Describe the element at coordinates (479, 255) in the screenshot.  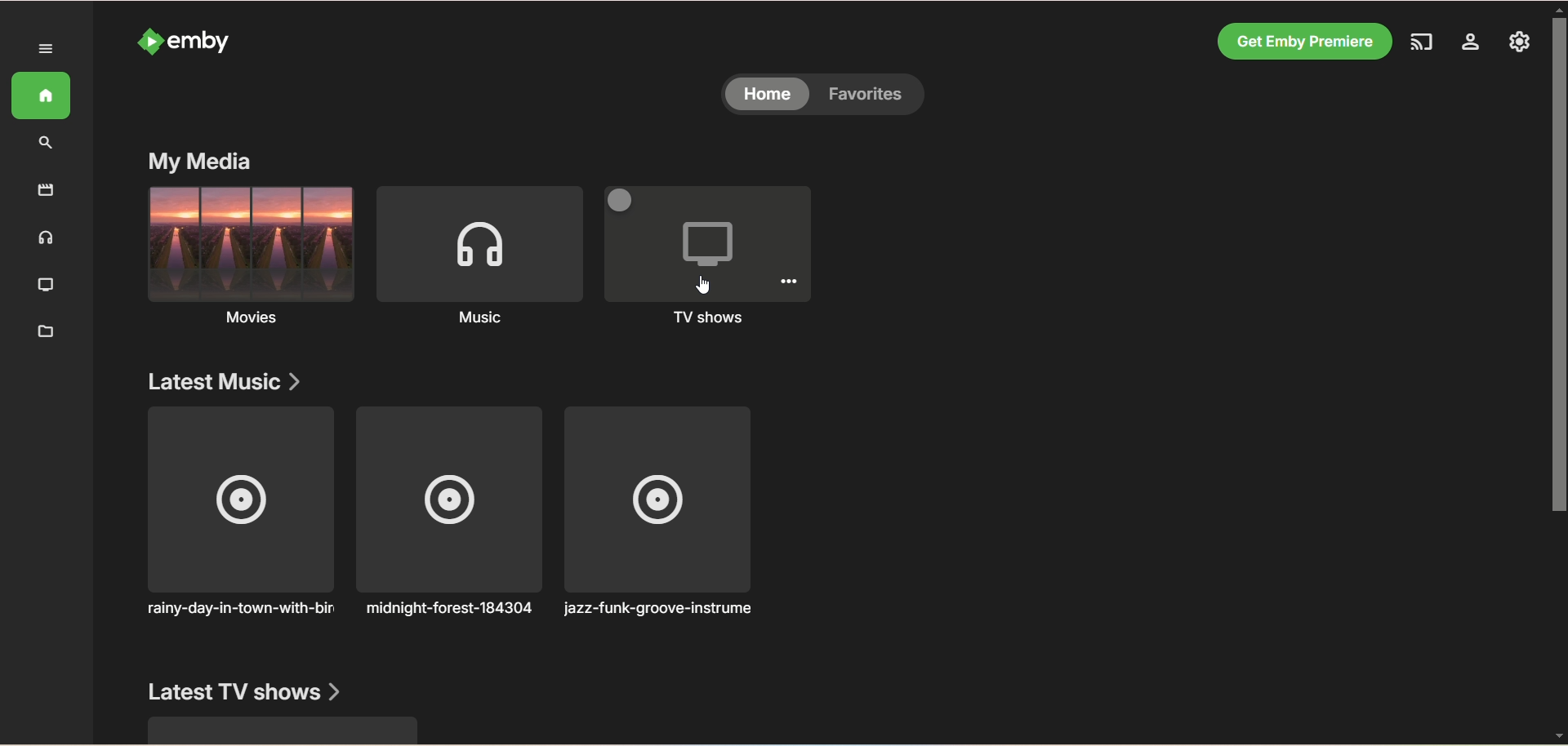
I see `Music` at that location.